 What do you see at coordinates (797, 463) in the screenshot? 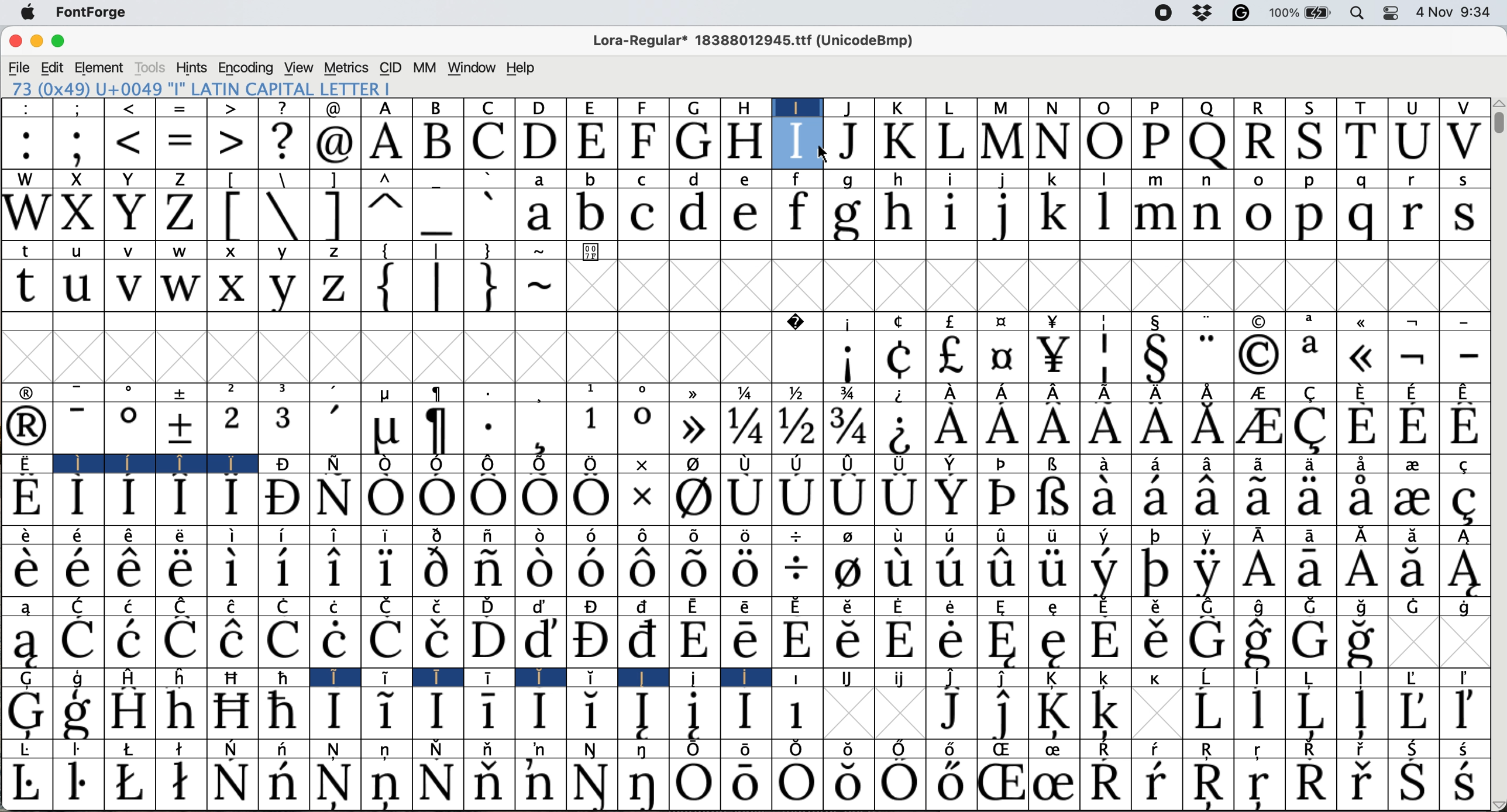
I see `Symbol` at bounding box center [797, 463].